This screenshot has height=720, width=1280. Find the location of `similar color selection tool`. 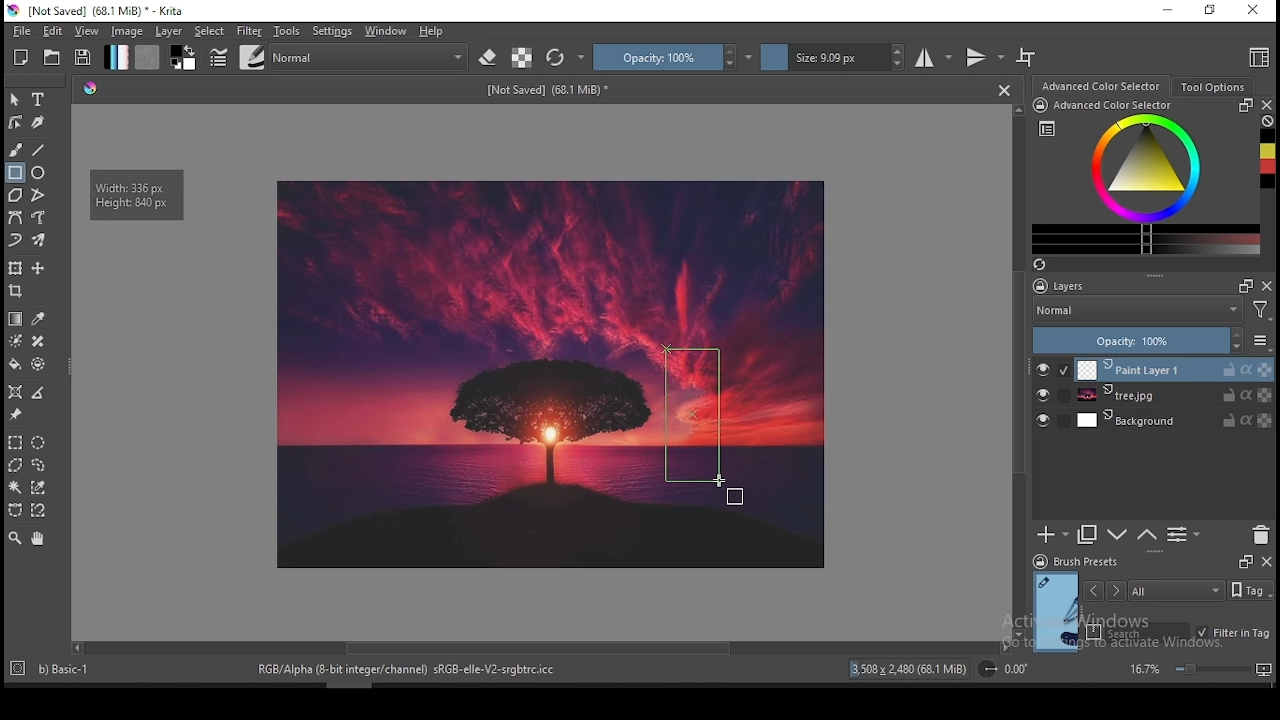

similar color selection tool is located at coordinates (39, 487).